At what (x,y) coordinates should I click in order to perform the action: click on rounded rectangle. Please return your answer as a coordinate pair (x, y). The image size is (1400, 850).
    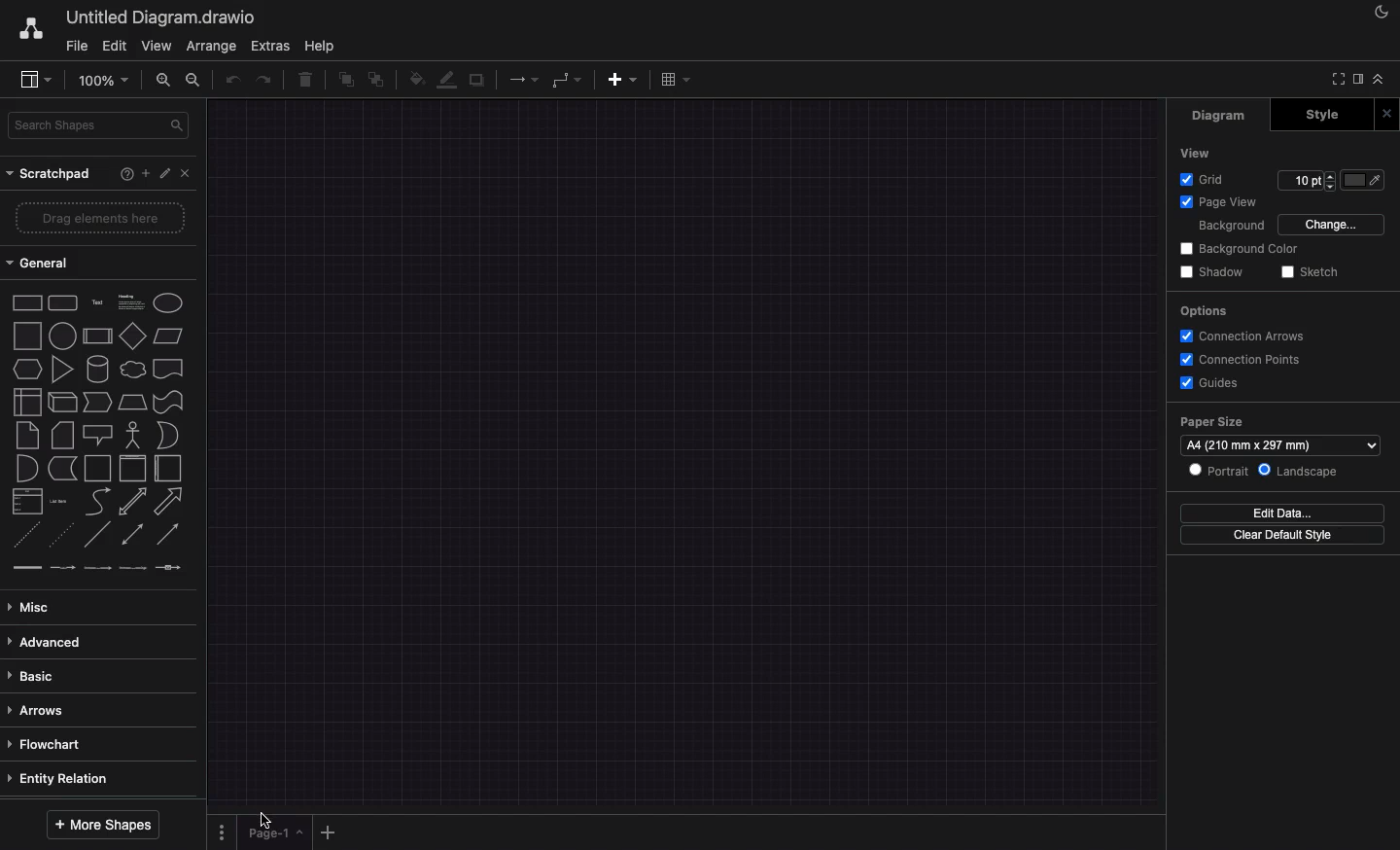
    Looking at the image, I should click on (64, 303).